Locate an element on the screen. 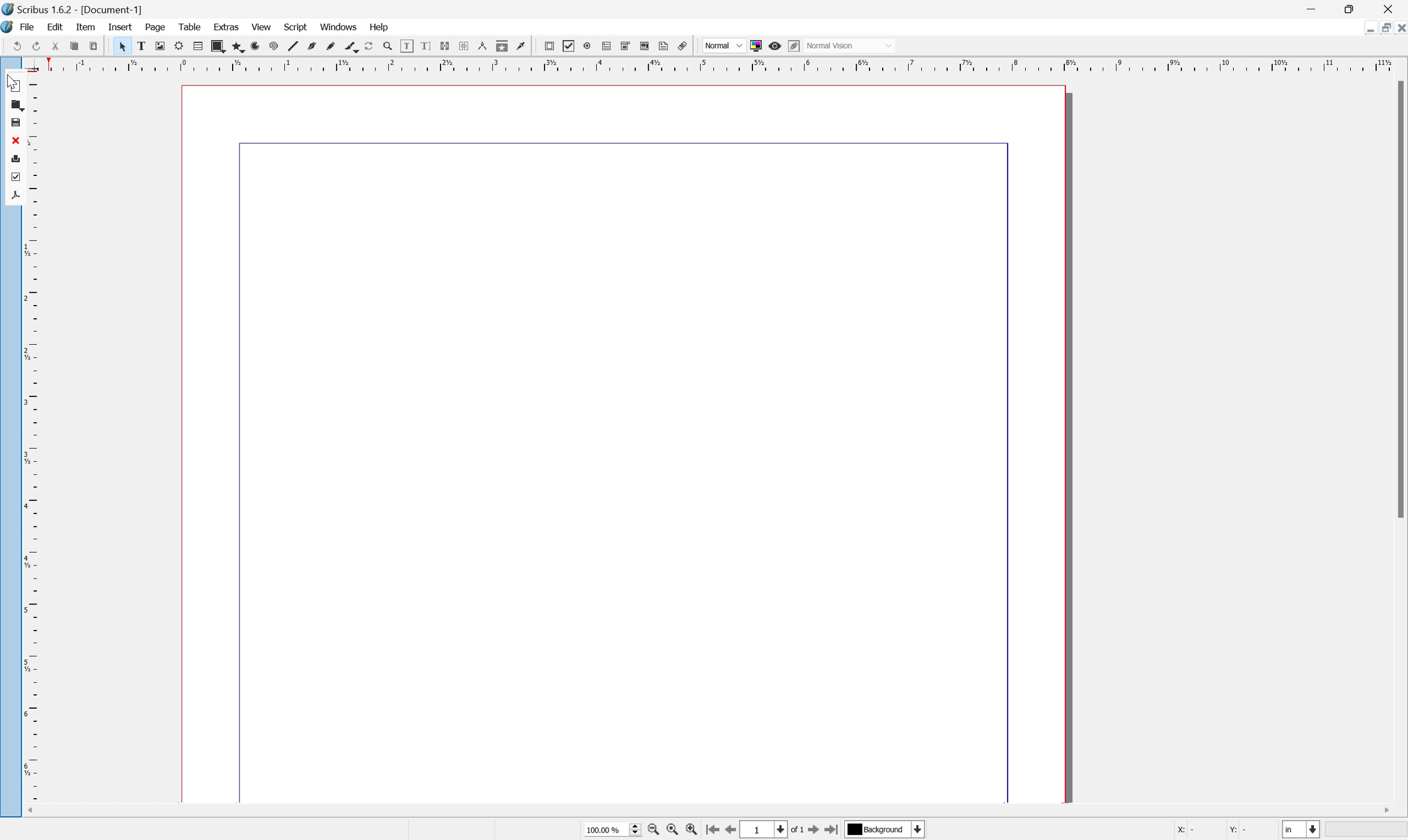 The image size is (1408, 840). bezier curve is located at coordinates (443, 45).